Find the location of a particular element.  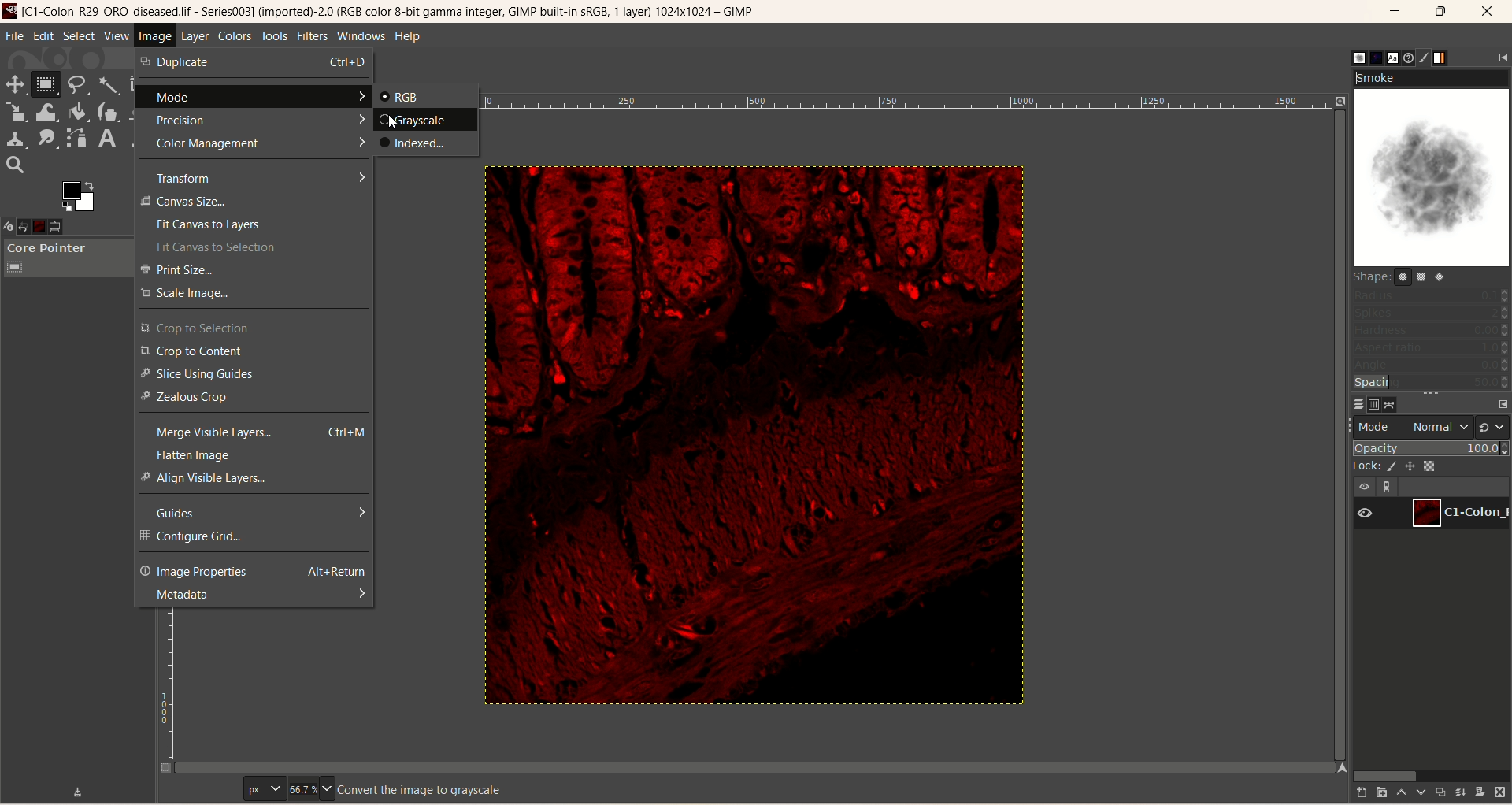

ink tool is located at coordinates (106, 113).